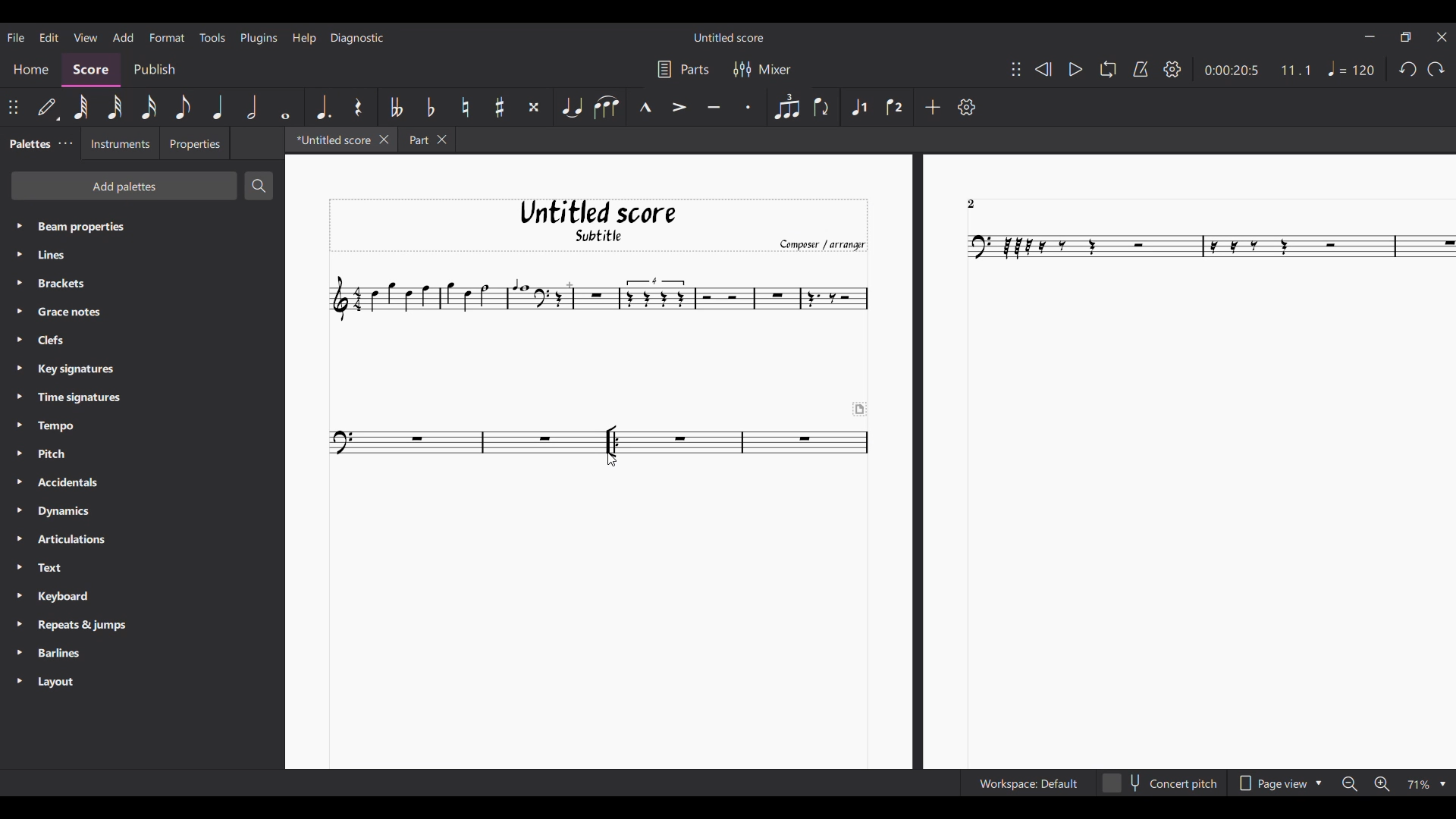 The image size is (1456, 819). I want to click on Change position of toolbar, so click(1016, 69).